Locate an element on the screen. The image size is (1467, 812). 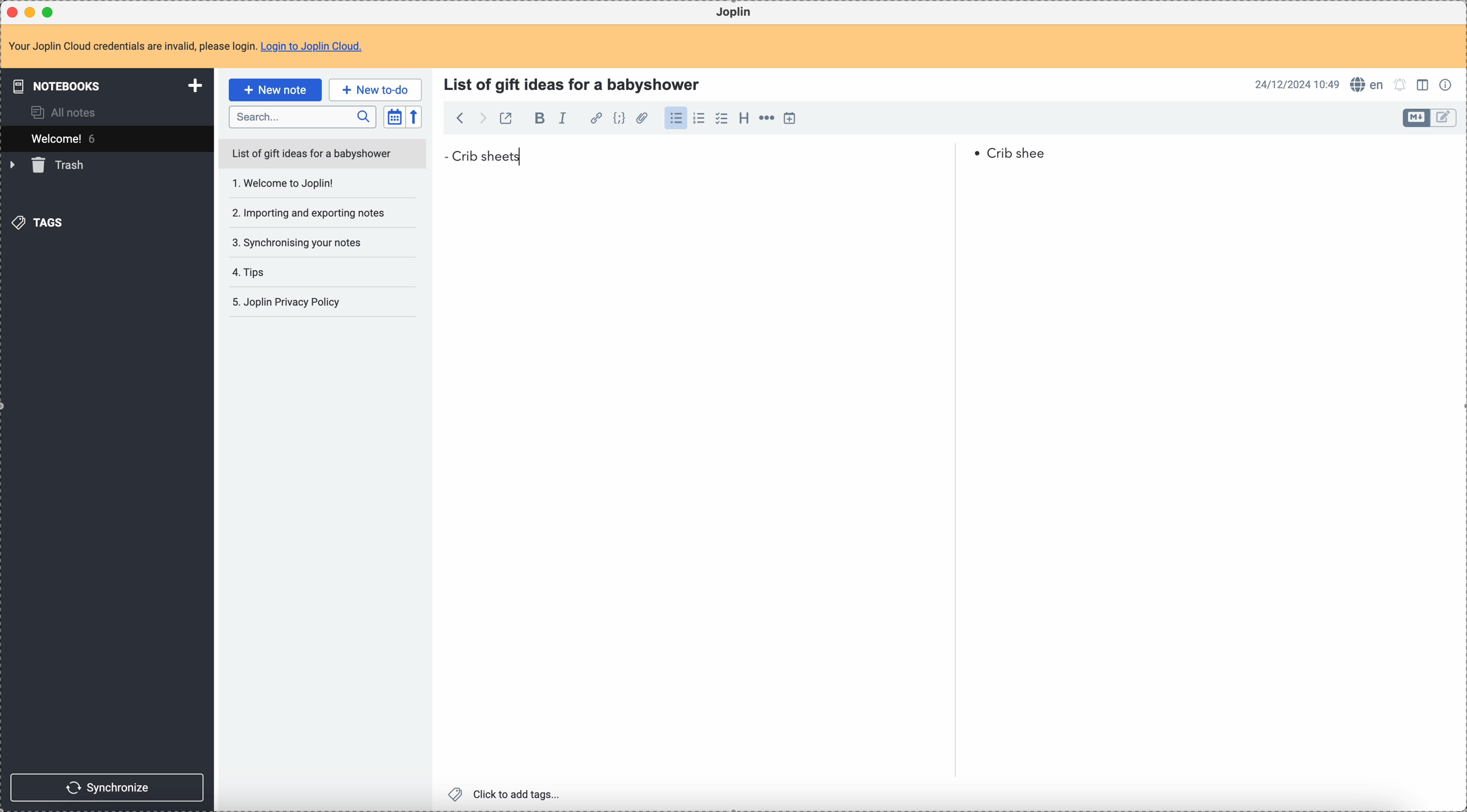
notebooks is located at coordinates (103, 87).